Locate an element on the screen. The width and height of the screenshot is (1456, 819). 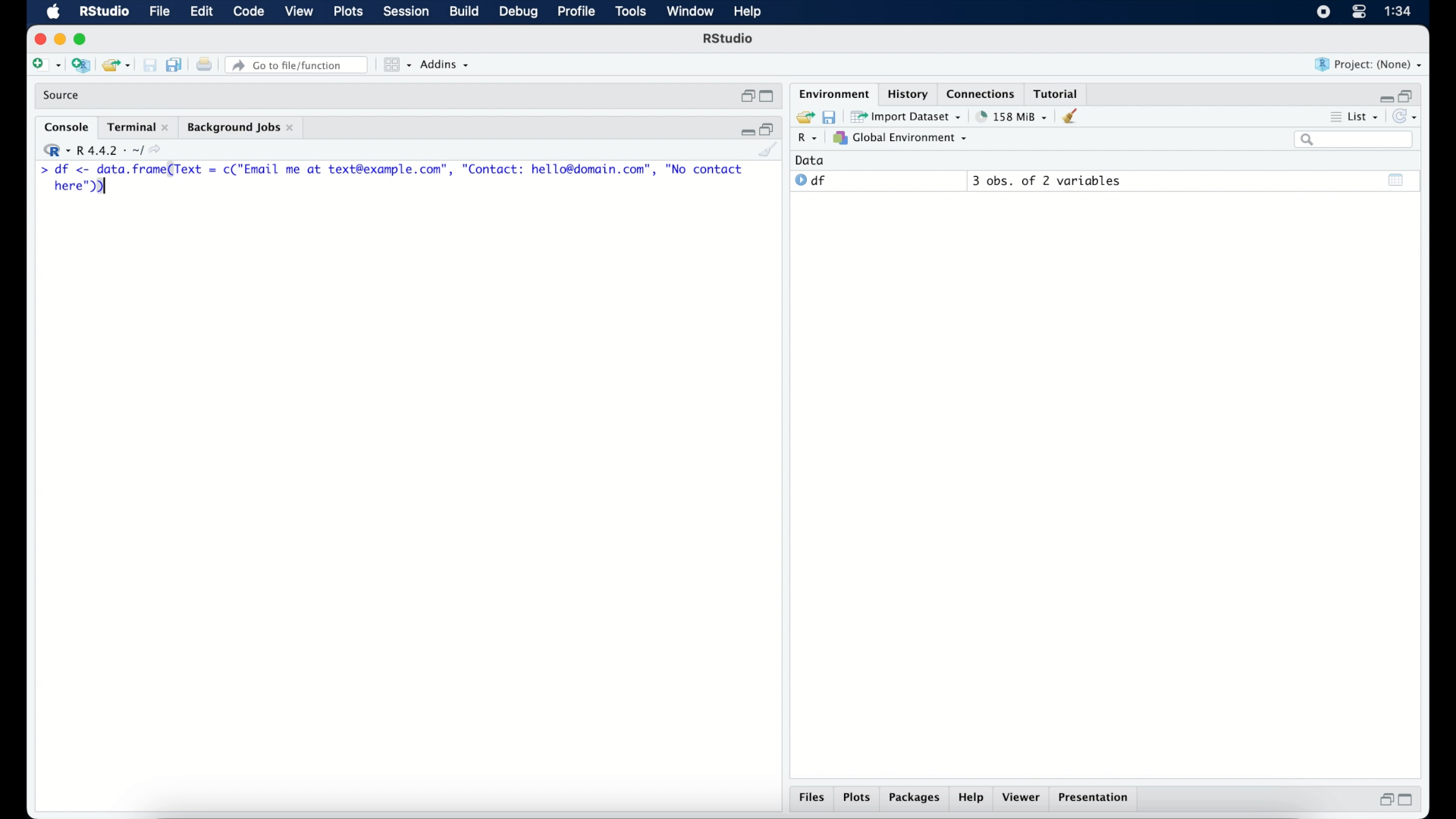
save is located at coordinates (833, 117).